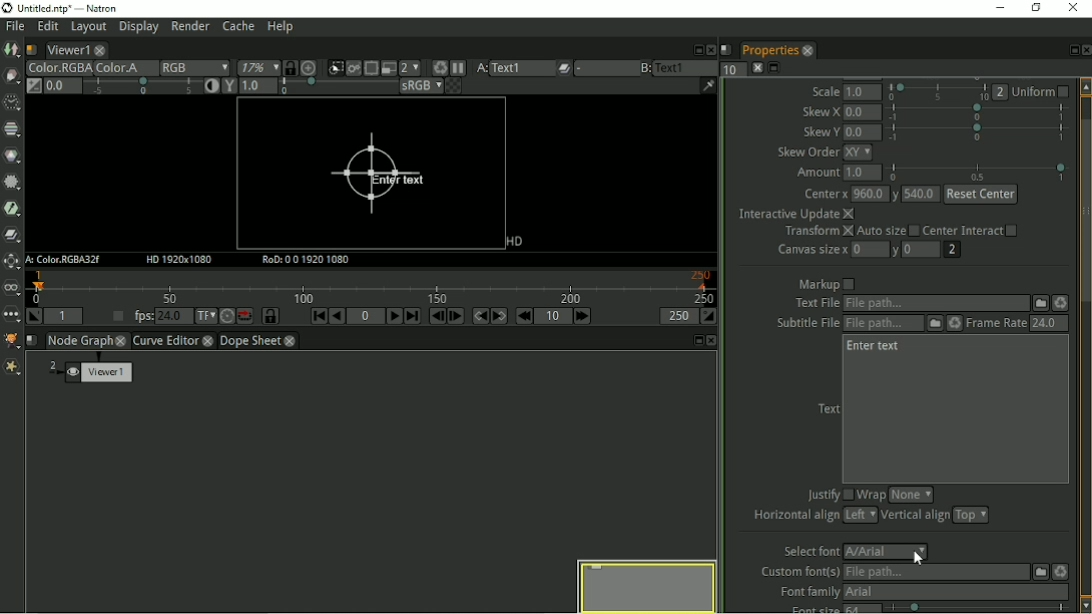 The width and height of the screenshot is (1092, 614). Describe the element at coordinates (194, 68) in the screenshot. I see `RGB` at that location.